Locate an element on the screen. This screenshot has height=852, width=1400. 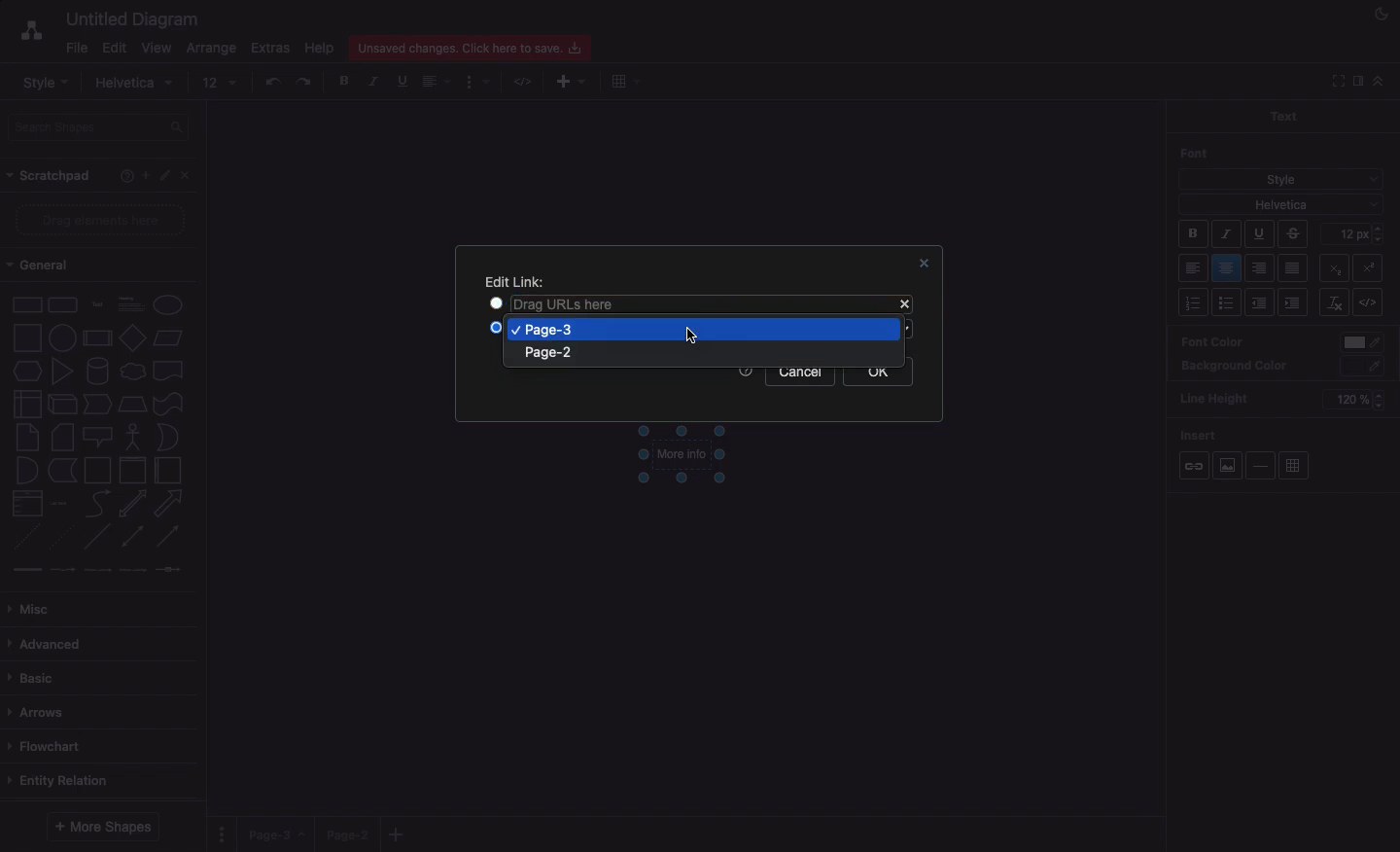
process is located at coordinates (97, 338).